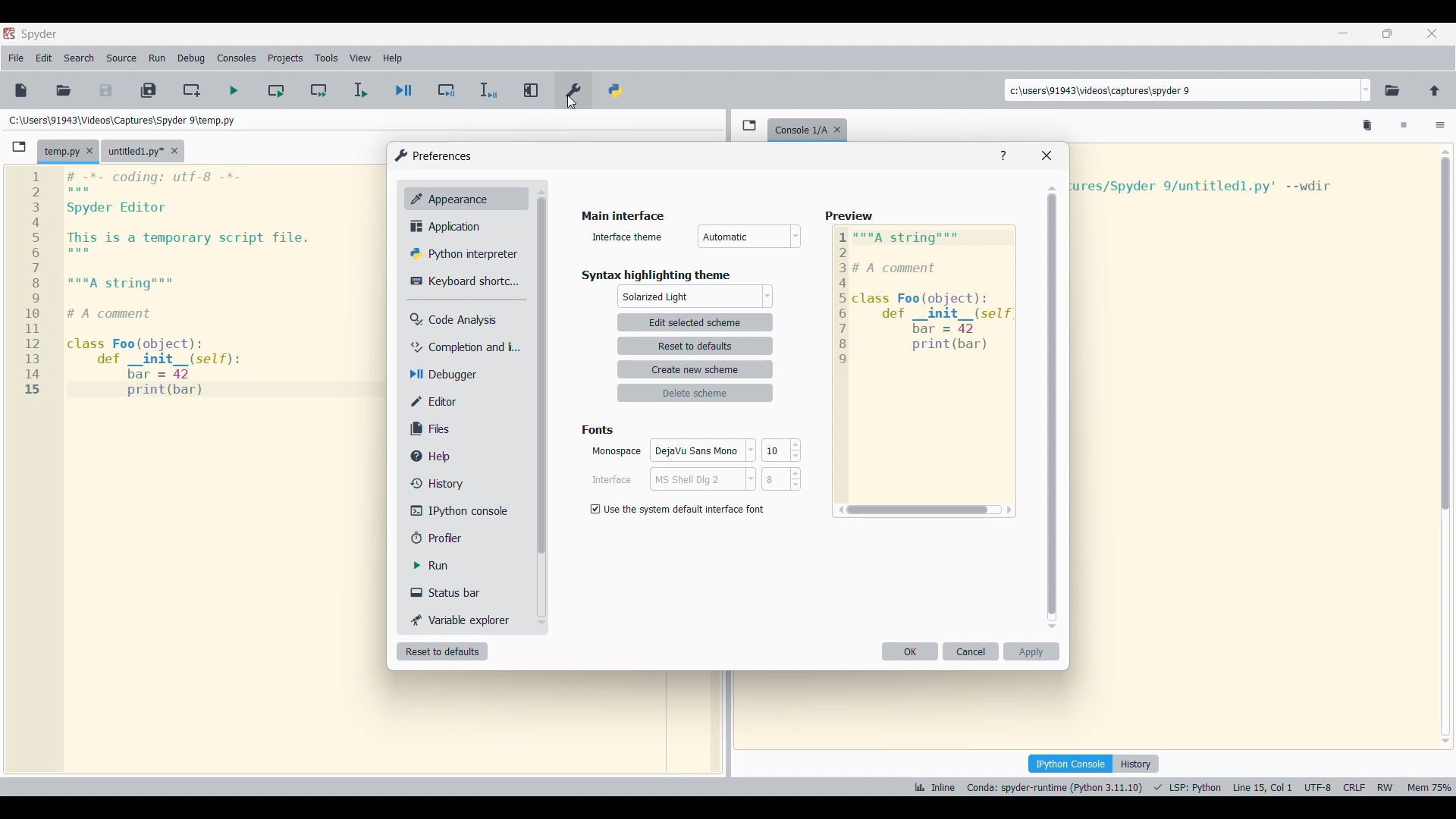 The height and width of the screenshot is (819, 1456). Describe the element at coordinates (911, 651) in the screenshot. I see `OK` at that location.